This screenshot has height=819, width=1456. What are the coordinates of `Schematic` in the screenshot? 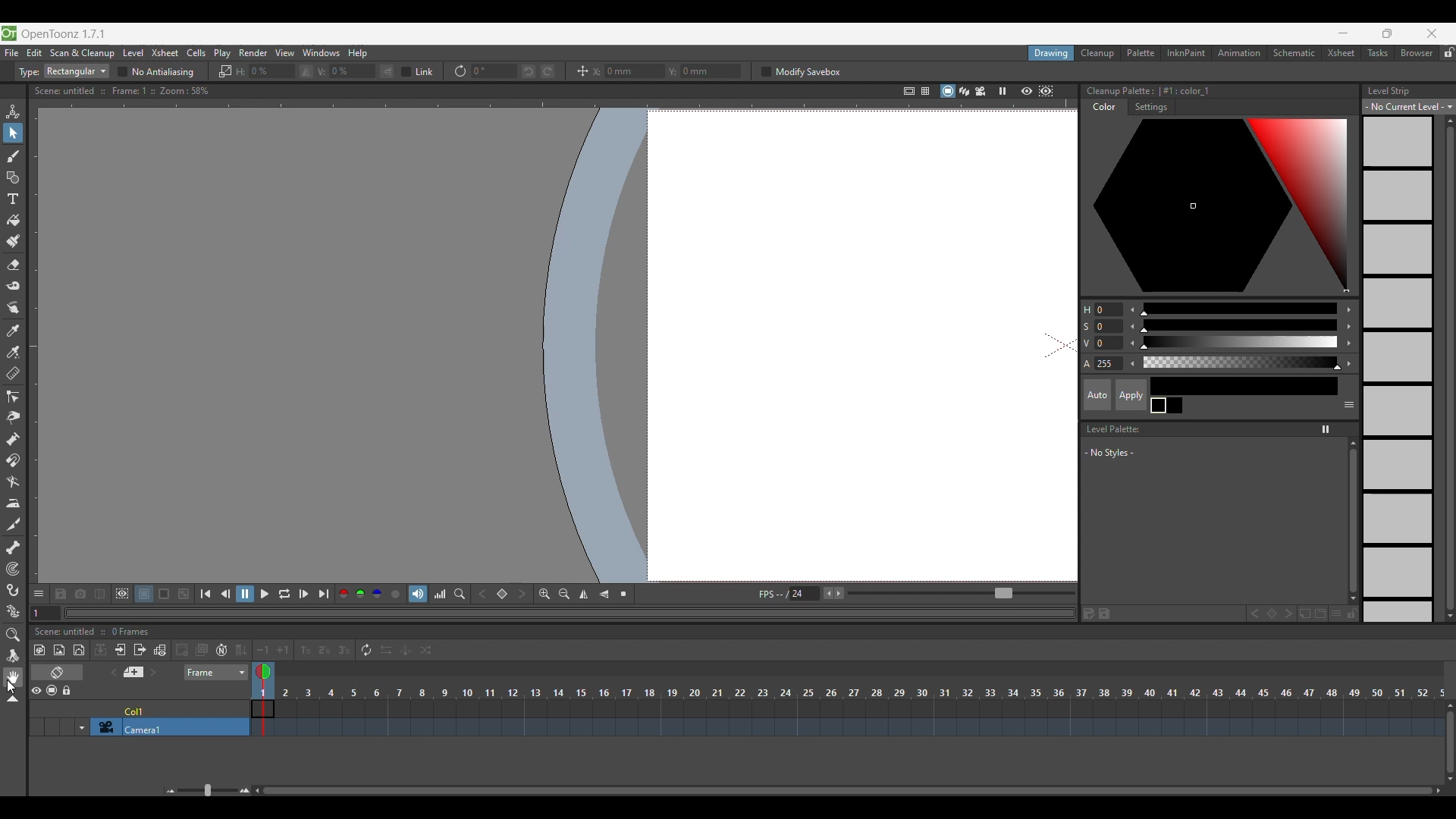 It's located at (1293, 52).